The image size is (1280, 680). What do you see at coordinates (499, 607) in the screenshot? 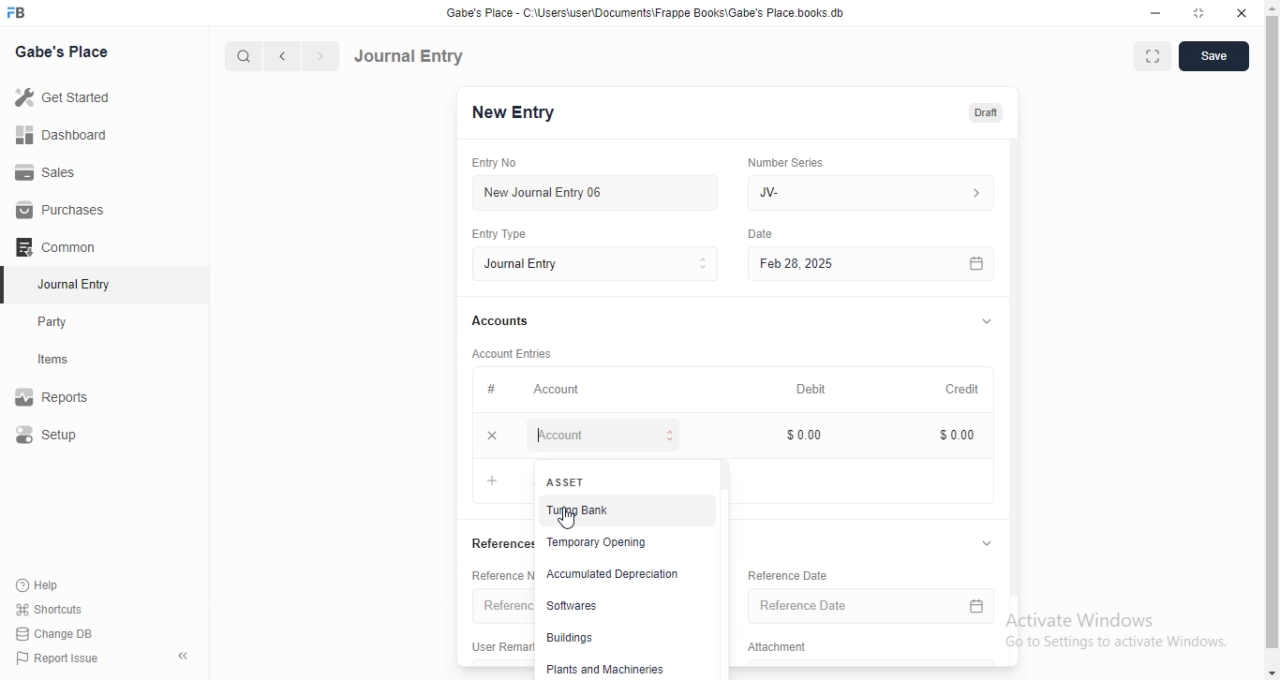
I see `References` at bounding box center [499, 607].